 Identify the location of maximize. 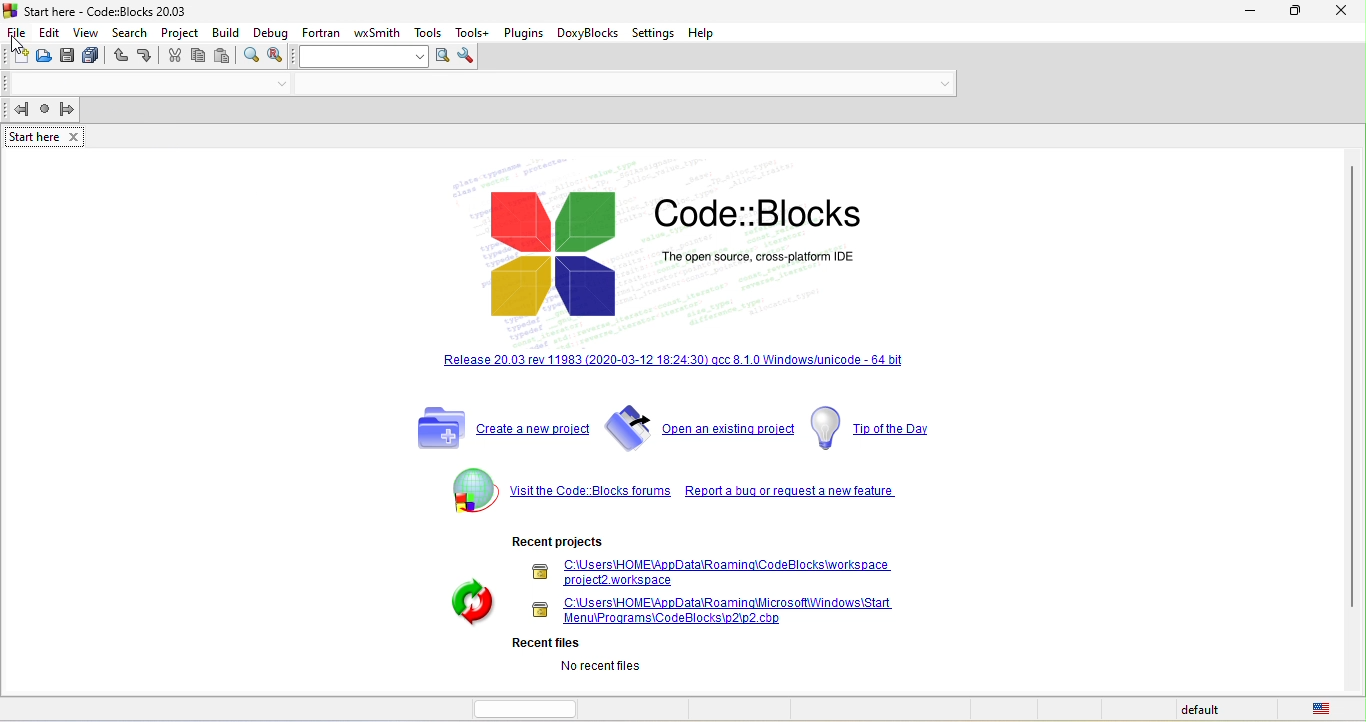
(1298, 13).